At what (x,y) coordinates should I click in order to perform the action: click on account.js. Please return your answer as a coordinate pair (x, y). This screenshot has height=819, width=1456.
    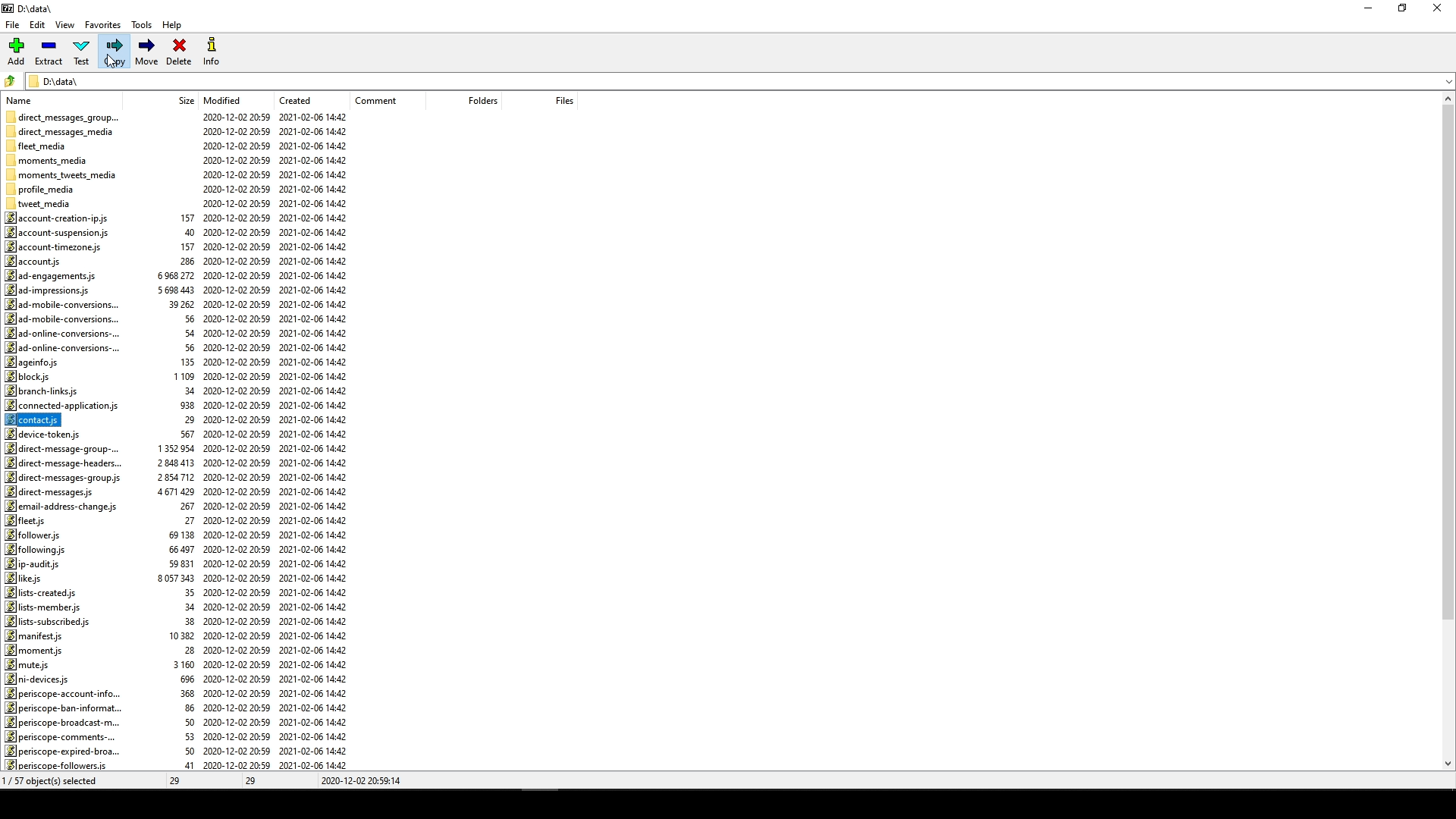
    Looking at the image, I should click on (38, 260).